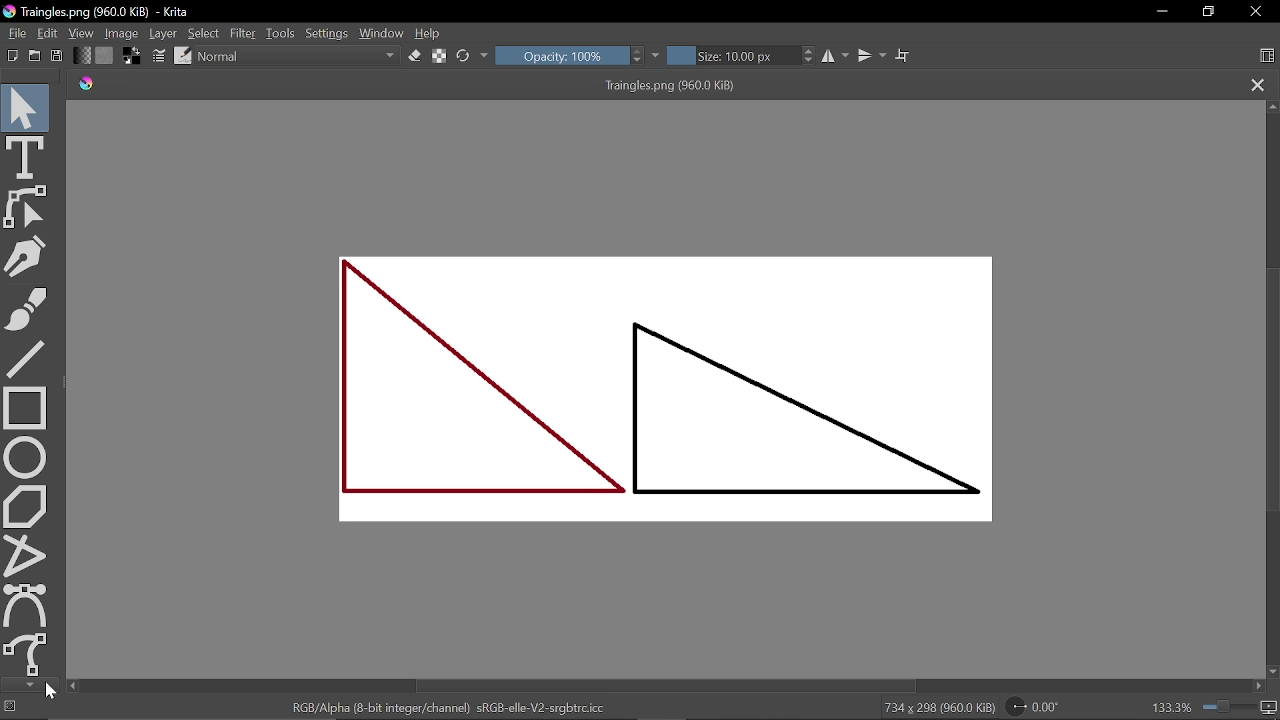 This screenshot has width=1280, height=720. Describe the element at coordinates (127, 12) in the screenshot. I see `Triangles.png (960.0 KiB) - Krita` at that location.